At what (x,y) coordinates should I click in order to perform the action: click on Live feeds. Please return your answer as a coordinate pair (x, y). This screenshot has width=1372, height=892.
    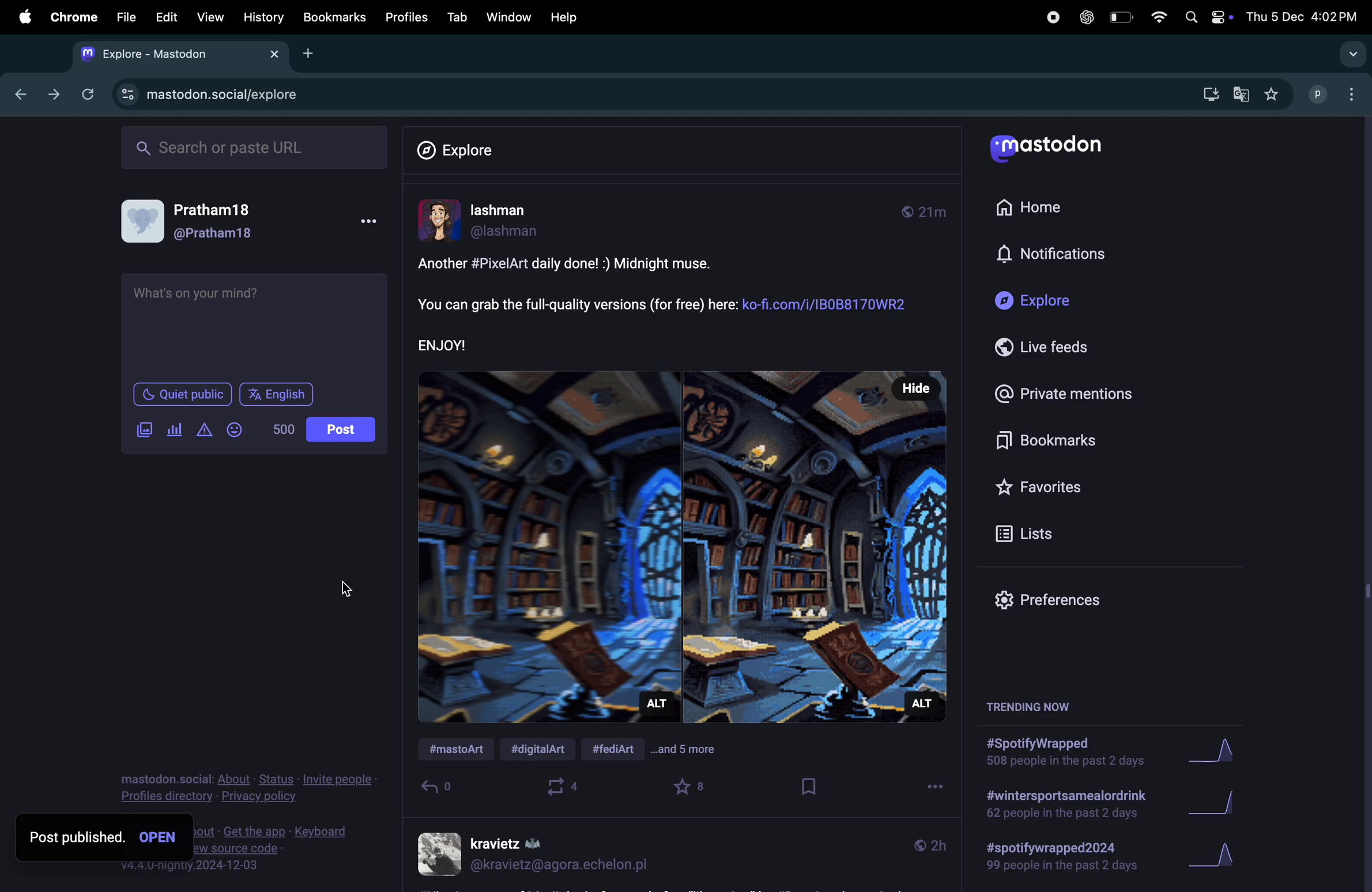
    Looking at the image, I should click on (1062, 347).